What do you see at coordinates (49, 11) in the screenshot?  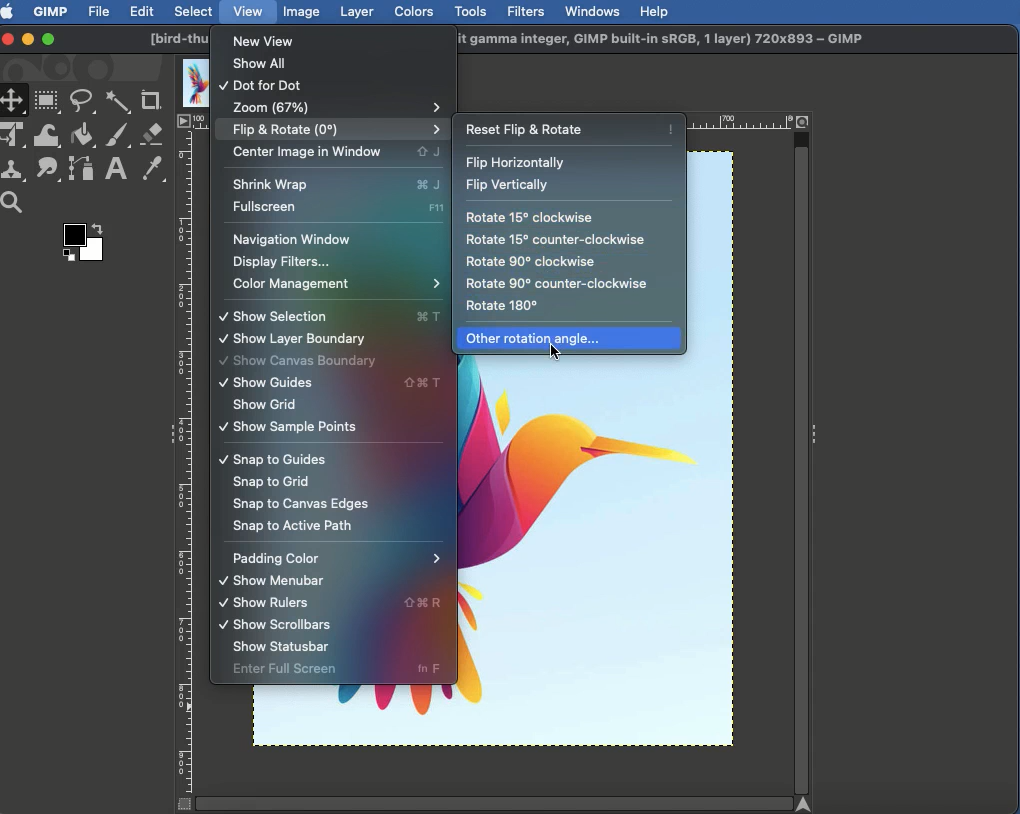 I see `GIMP` at bounding box center [49, 11].